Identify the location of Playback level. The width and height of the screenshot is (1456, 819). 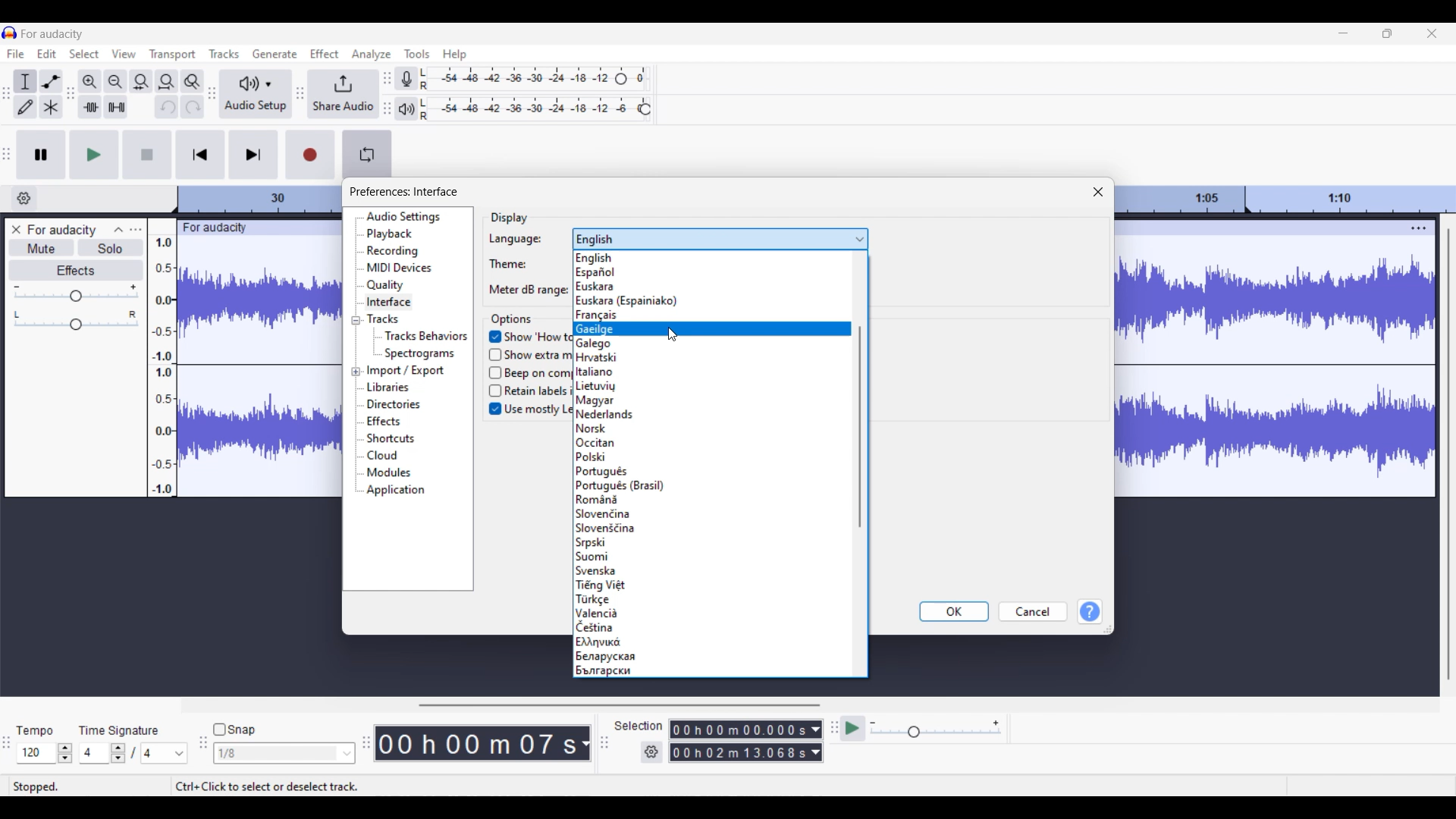
(529, 109).